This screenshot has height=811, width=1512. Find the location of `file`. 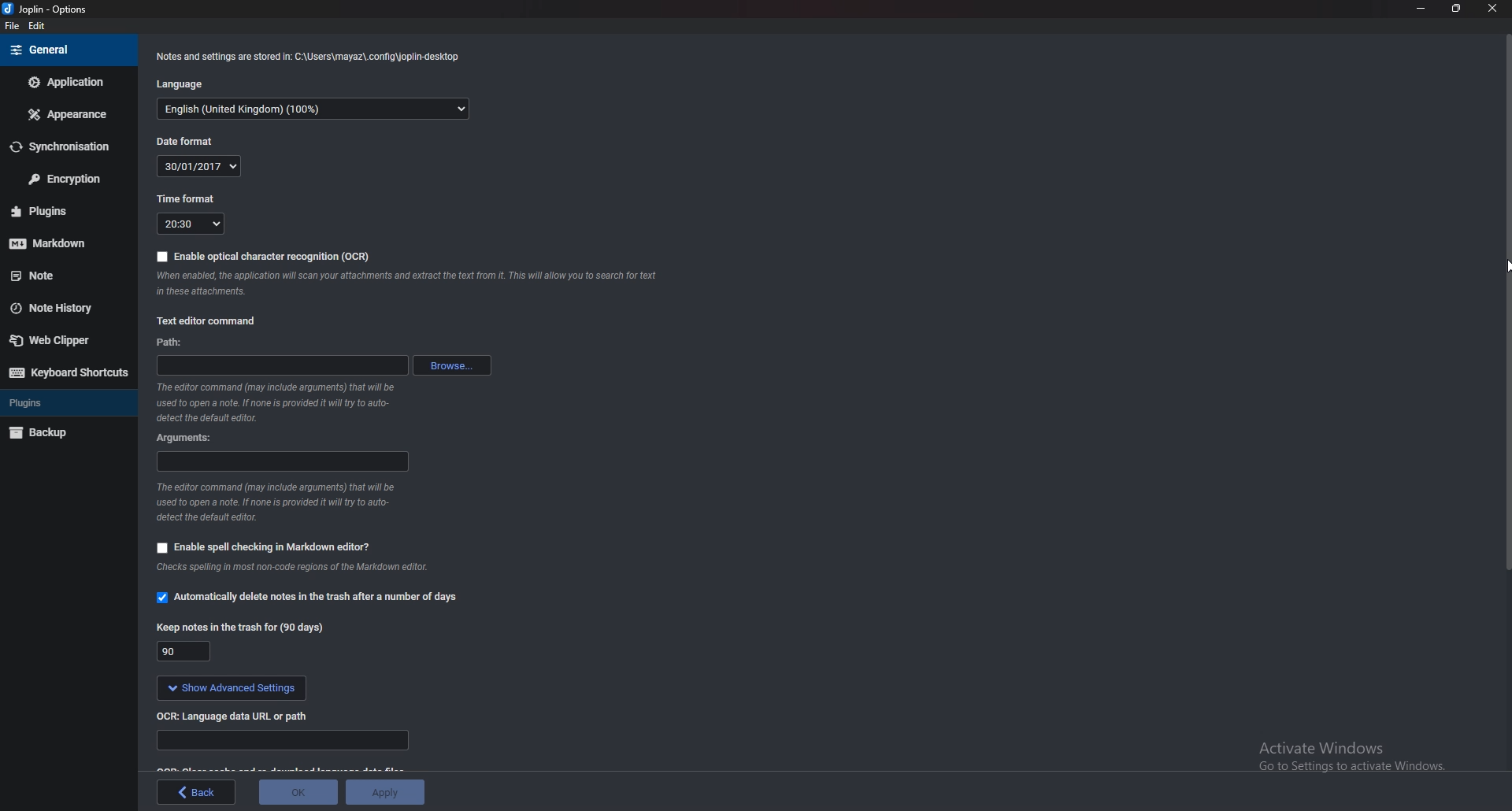

file is located at coordinates (13, 26).